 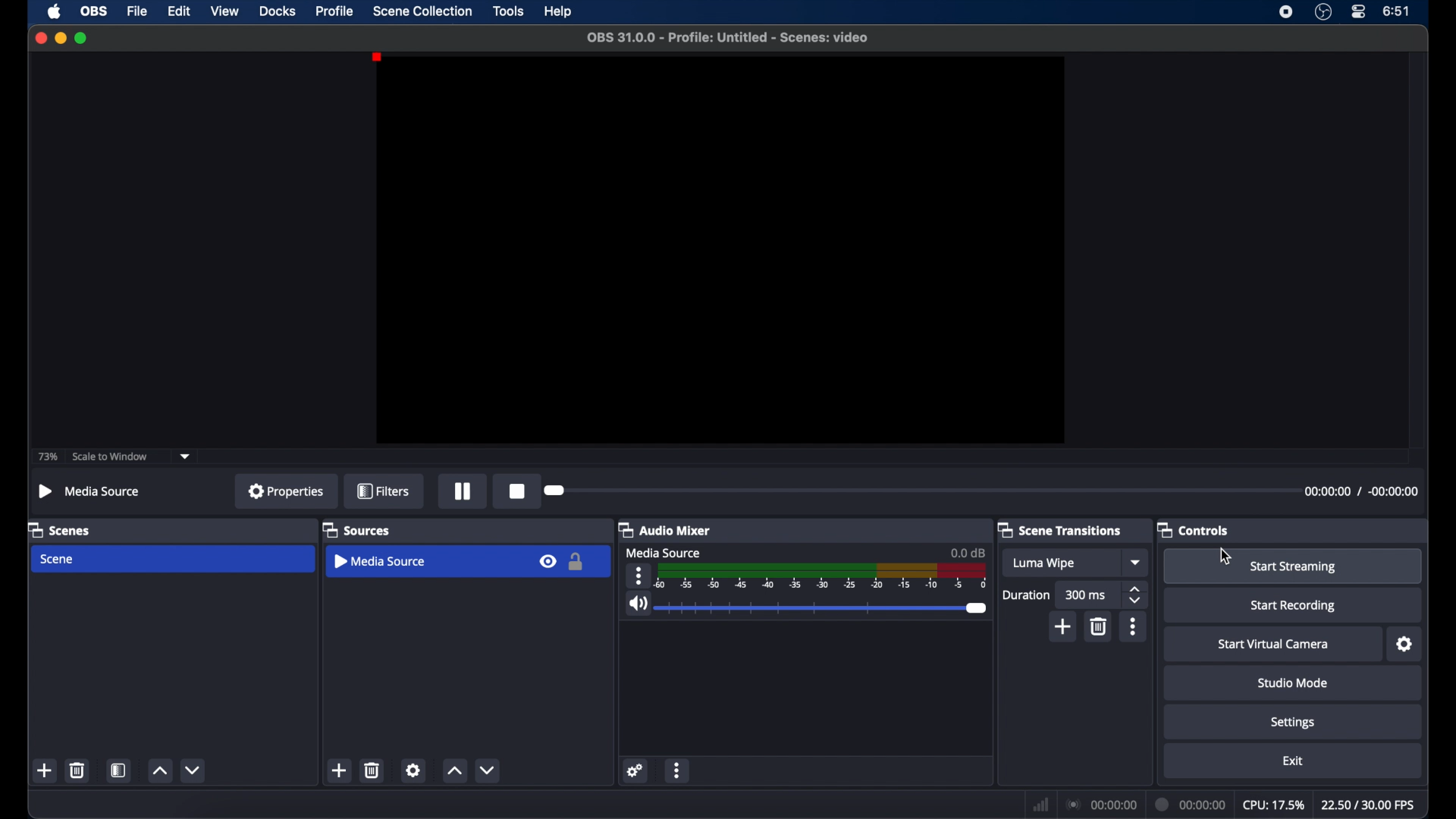 What do you see at coordinates (185, 455) in the screenshot?
I see `dropdown` at bounding box center [185, 455].